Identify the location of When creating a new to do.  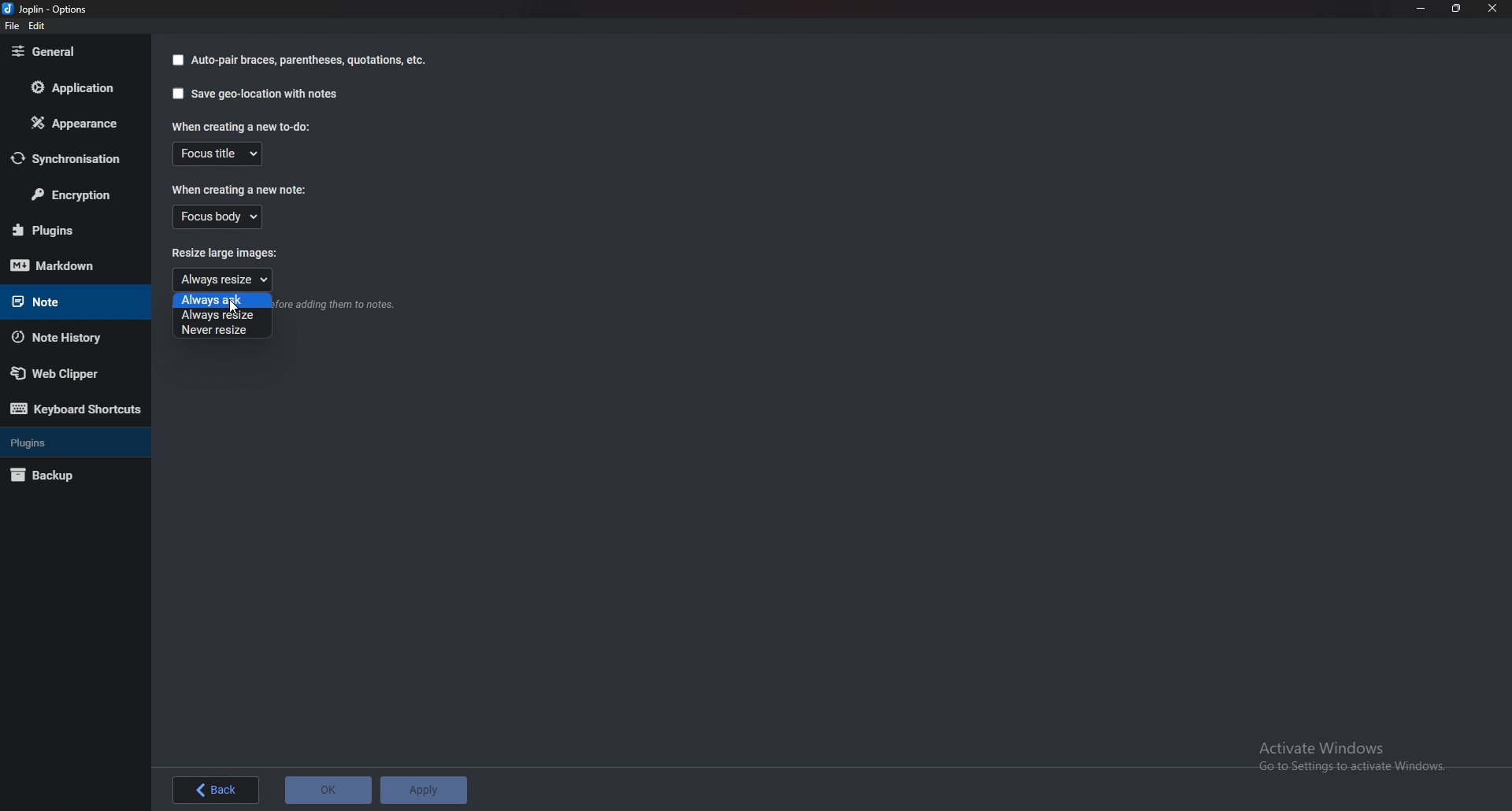
(240, 126).